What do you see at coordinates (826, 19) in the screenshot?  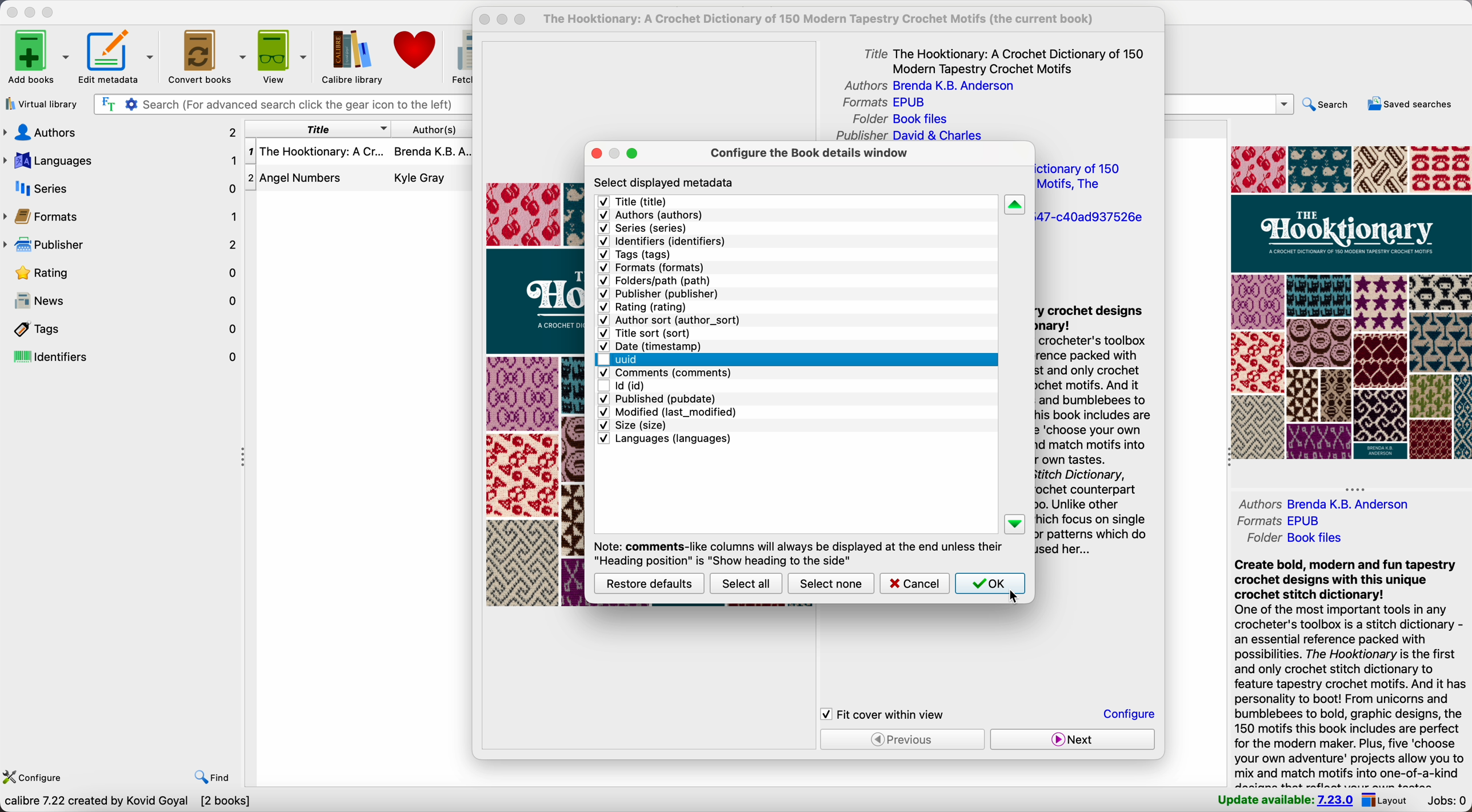 I see `current book` at bounding box center [826, 19].